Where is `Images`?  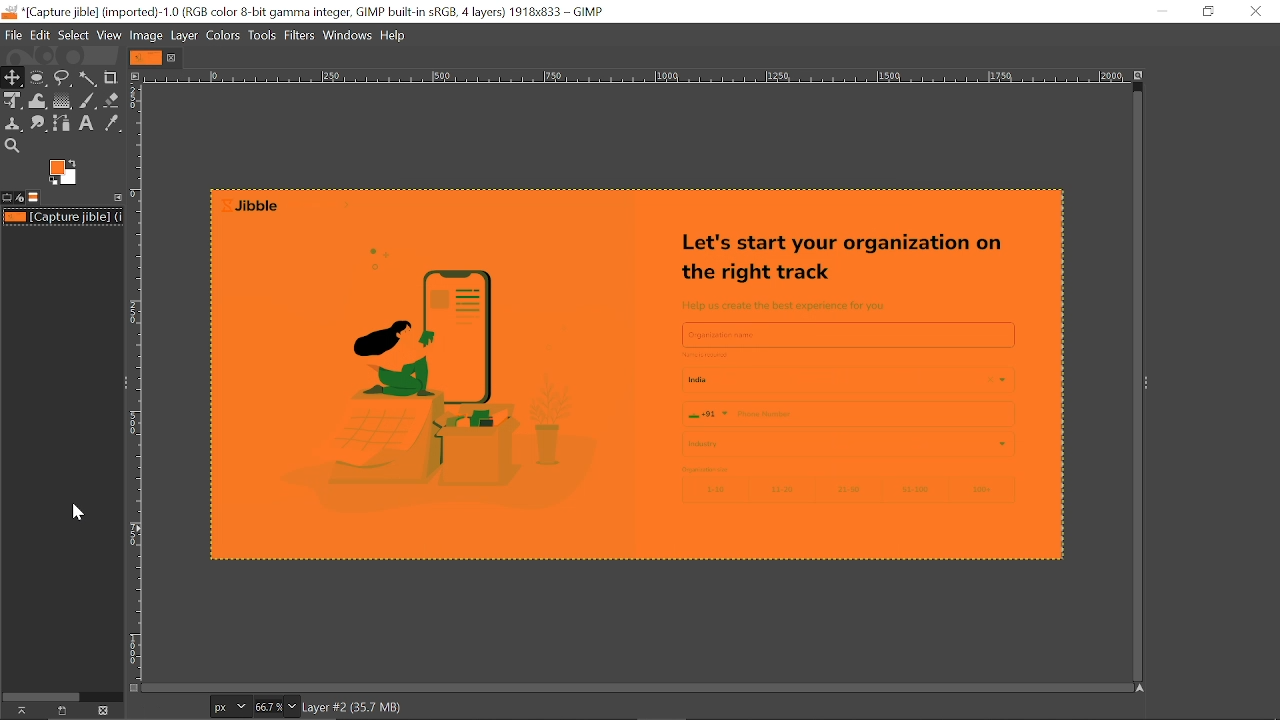 Images is located at coordinates (34, 197).